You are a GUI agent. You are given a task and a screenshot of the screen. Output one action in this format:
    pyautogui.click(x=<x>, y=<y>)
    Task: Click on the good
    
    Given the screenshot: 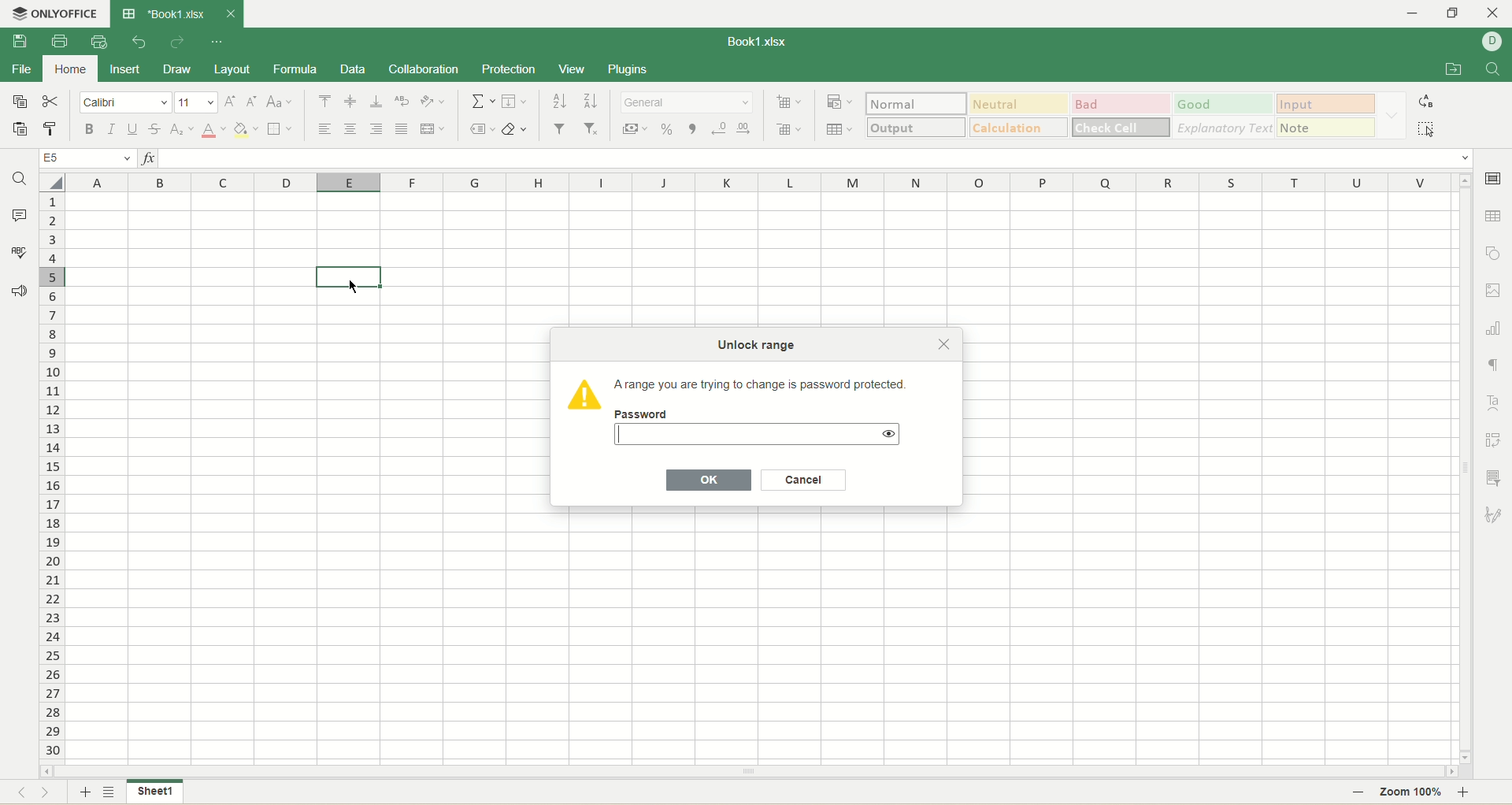 What is the action you would take?
    pyautogui.click(x=1221, y=105)
    